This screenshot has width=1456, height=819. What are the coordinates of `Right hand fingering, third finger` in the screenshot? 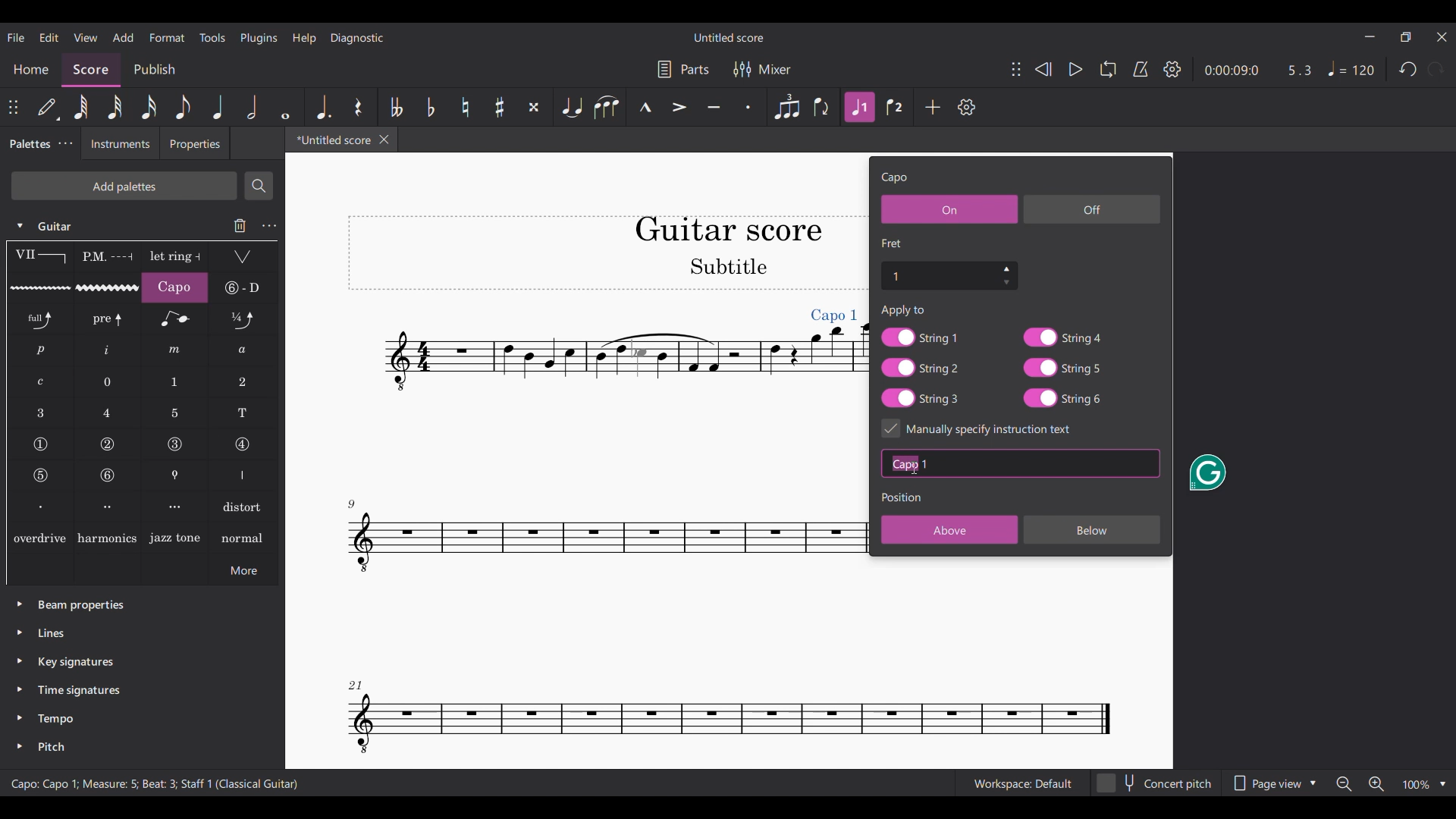 It's located at (176, 507).